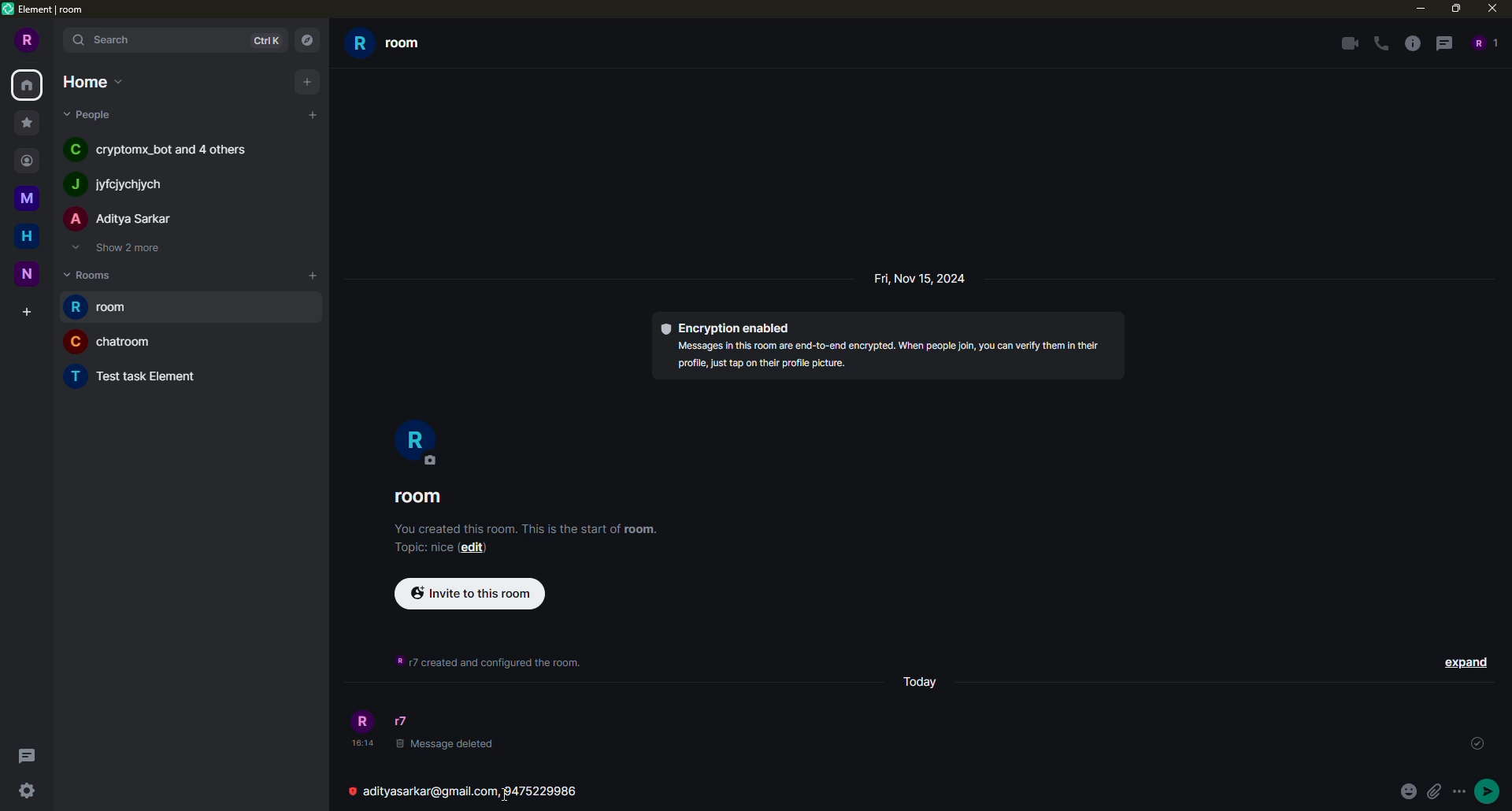  I want to click on profile, so click(417, 445).